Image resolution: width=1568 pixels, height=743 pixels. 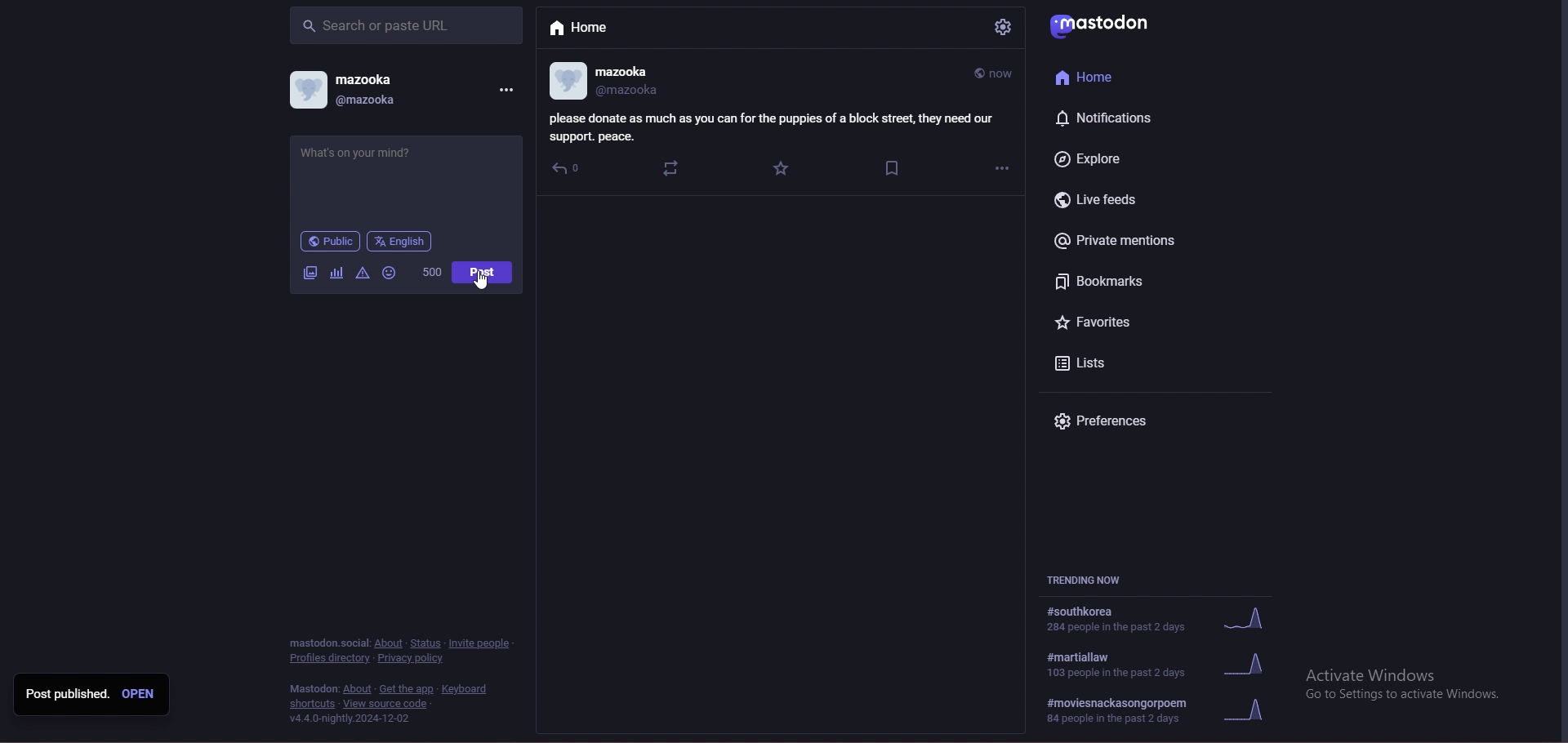 I want to click on mazooka, so click(x=368, y=79).